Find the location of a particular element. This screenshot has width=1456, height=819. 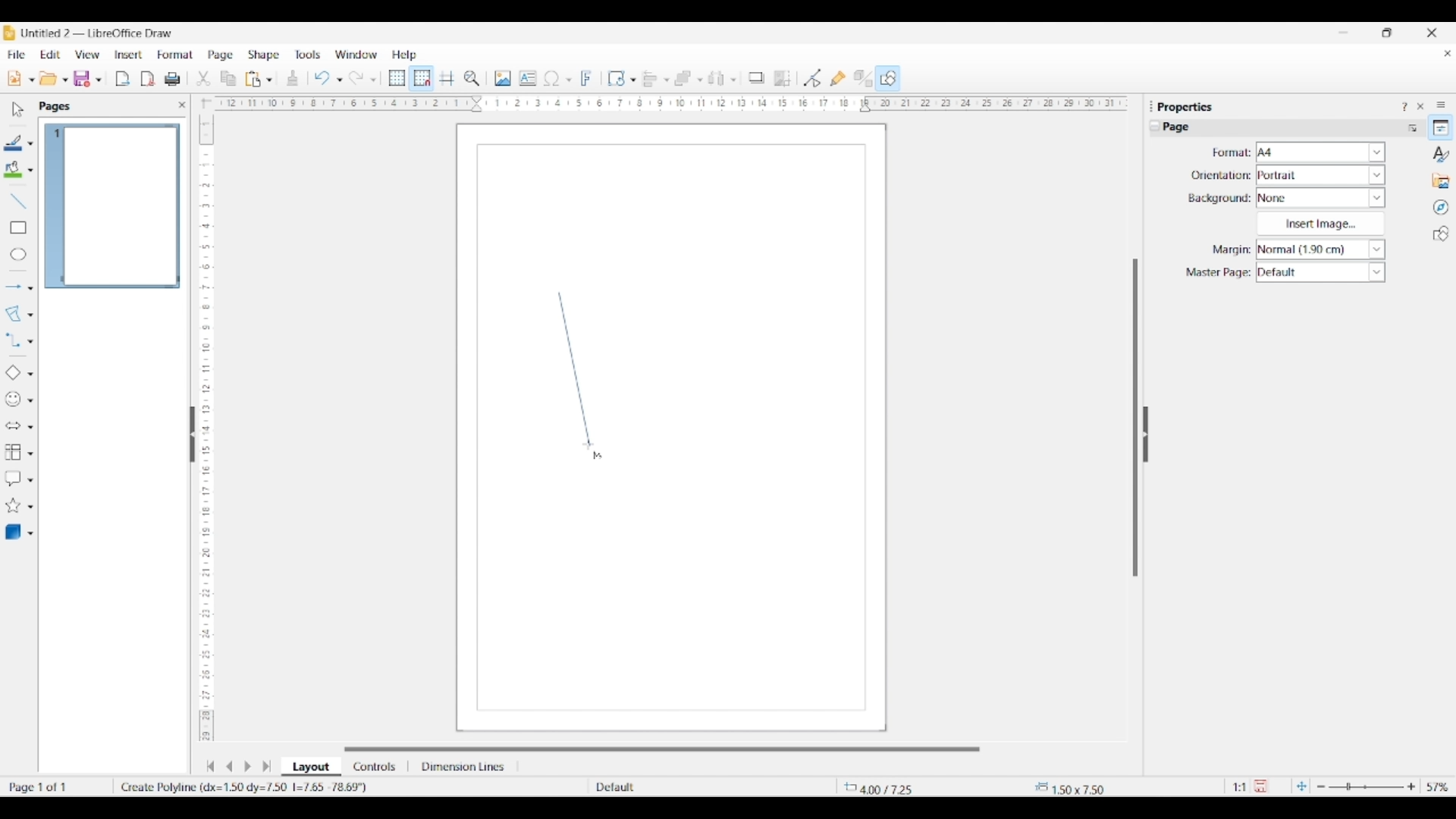

Toggle extrusion is located at coordinates (863, 79).